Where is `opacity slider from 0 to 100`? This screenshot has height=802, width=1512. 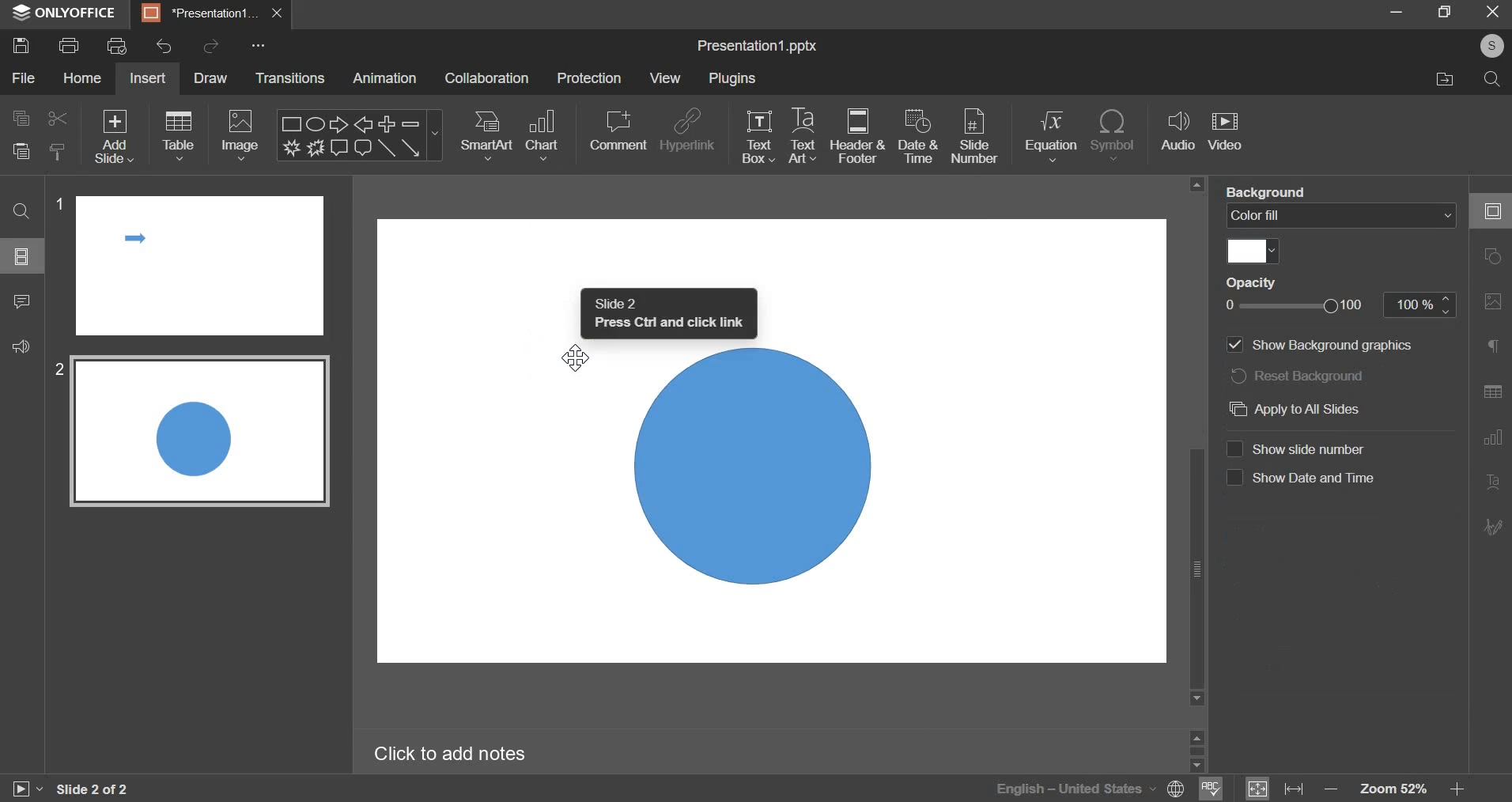
opacity slider from 0 to 100 is located at coordinates (1341, 305).